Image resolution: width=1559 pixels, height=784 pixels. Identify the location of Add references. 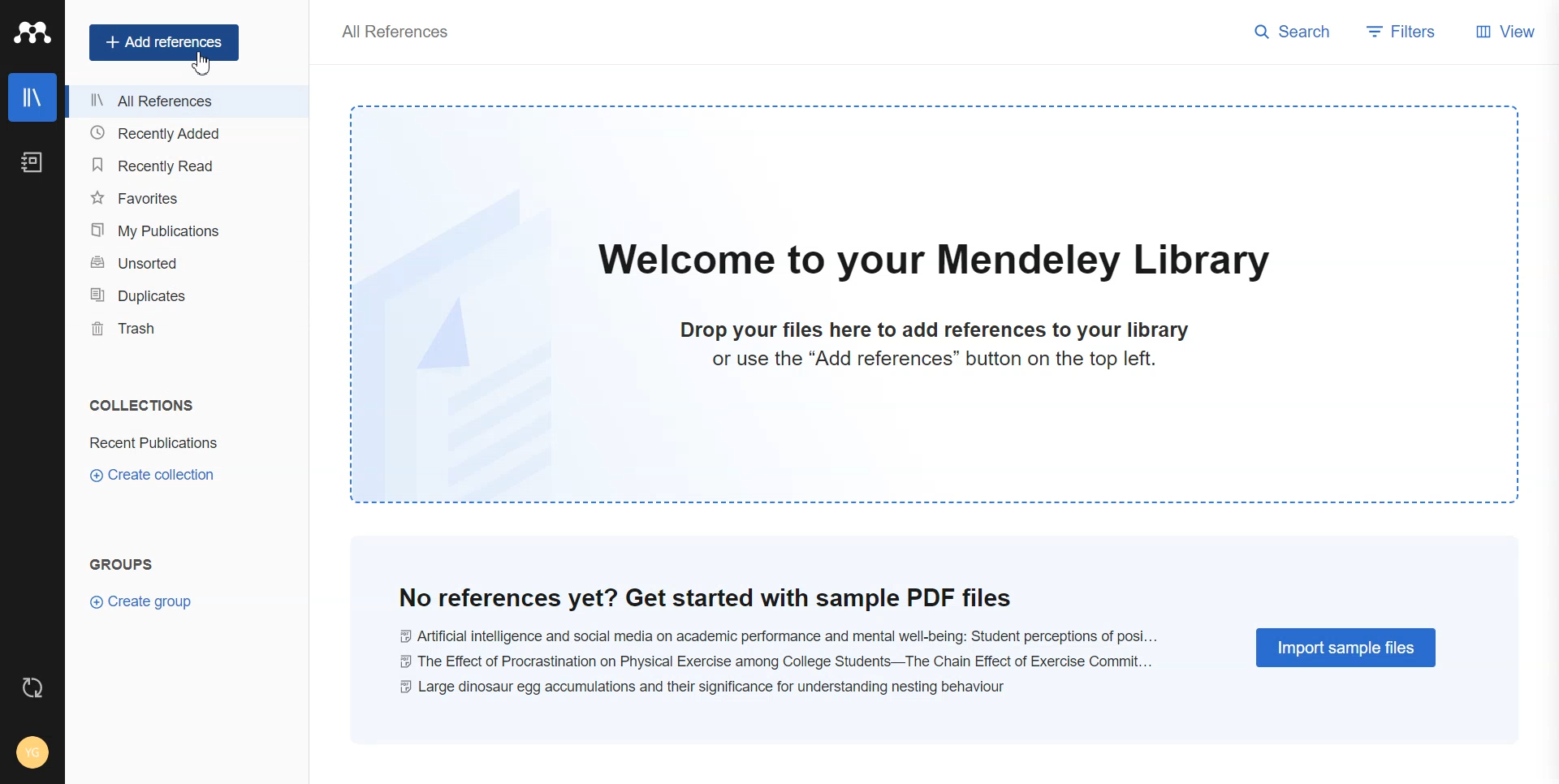
(166, 43).